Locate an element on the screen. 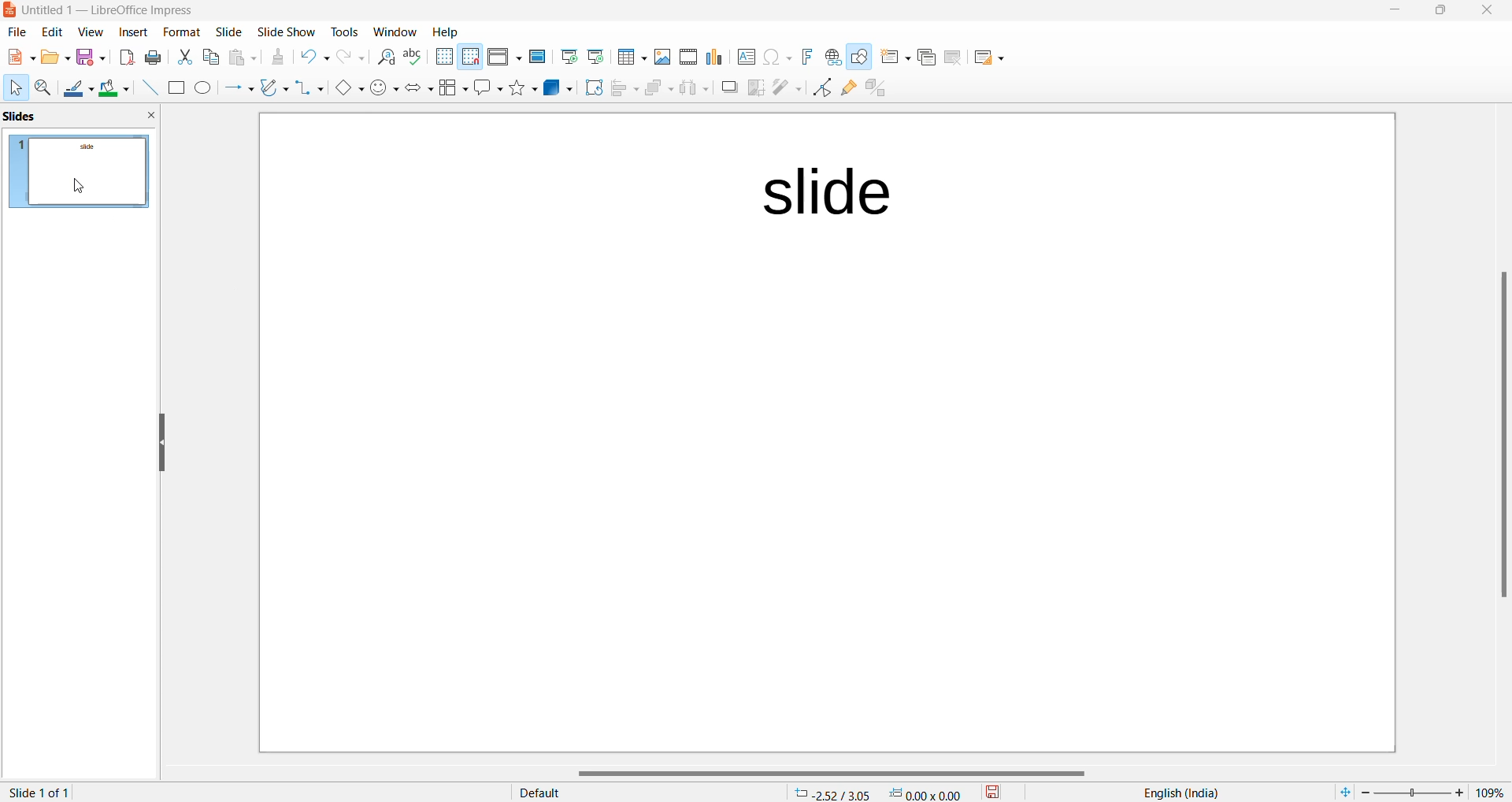 The image size is (1512, 802). slide layout is located at coordinates (988, 61).